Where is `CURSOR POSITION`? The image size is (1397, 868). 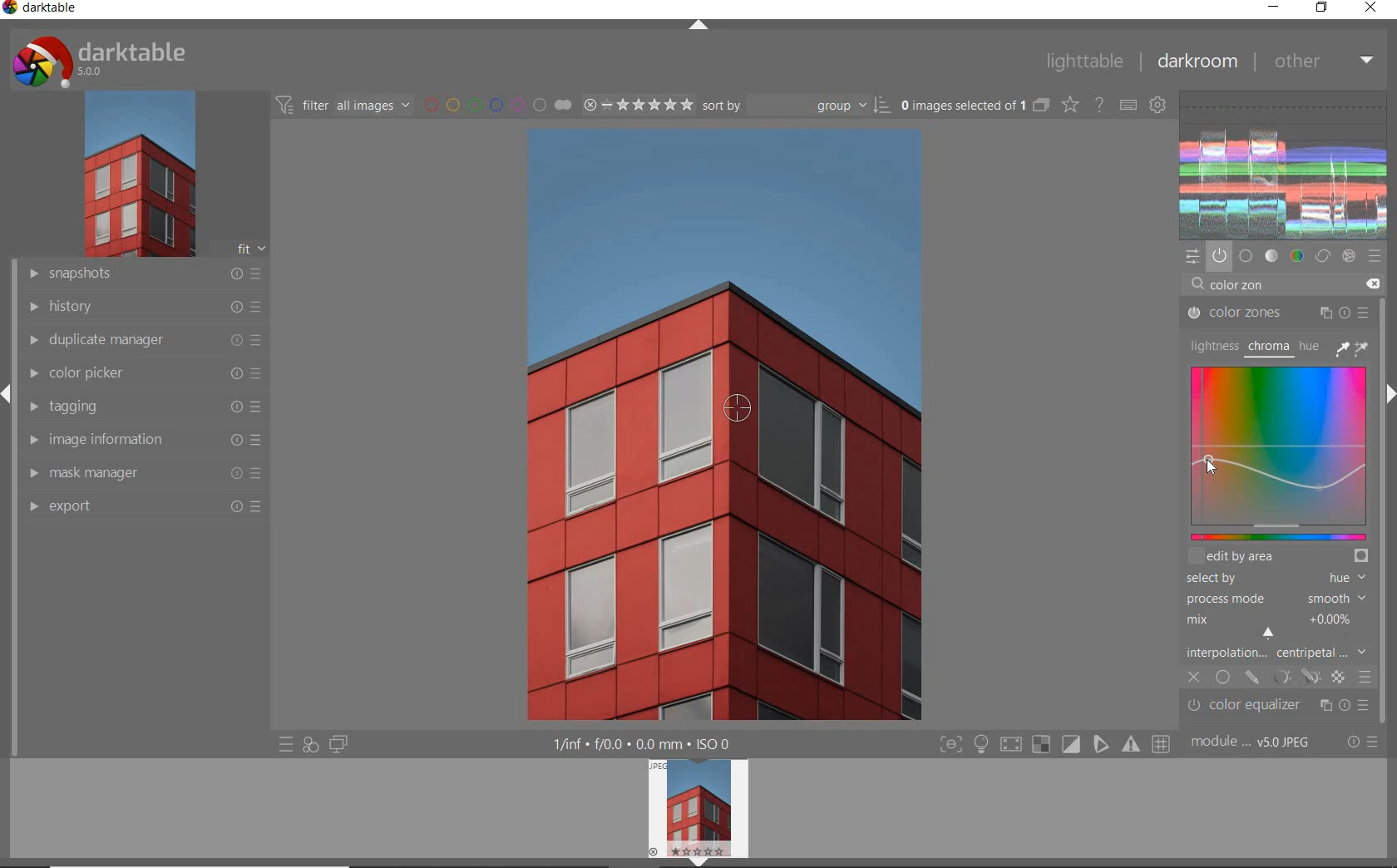
CURSOR POSITION is located at coordinates (1205, 415).